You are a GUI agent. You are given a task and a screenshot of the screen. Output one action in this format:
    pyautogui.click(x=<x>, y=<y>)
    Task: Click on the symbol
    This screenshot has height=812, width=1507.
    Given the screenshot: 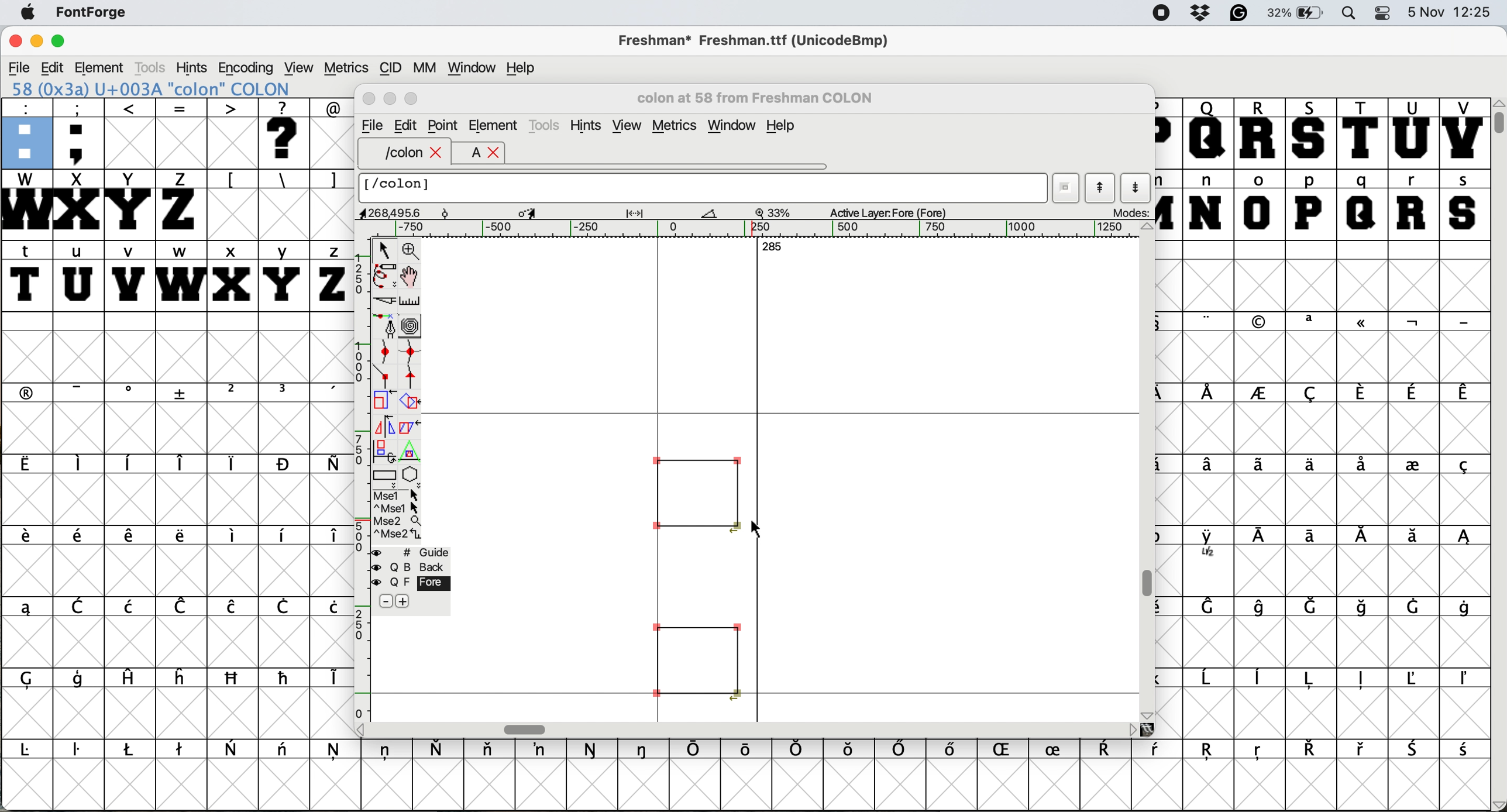 What is the action you would take?
    pyautogui.click(x=1307, y=464)
    